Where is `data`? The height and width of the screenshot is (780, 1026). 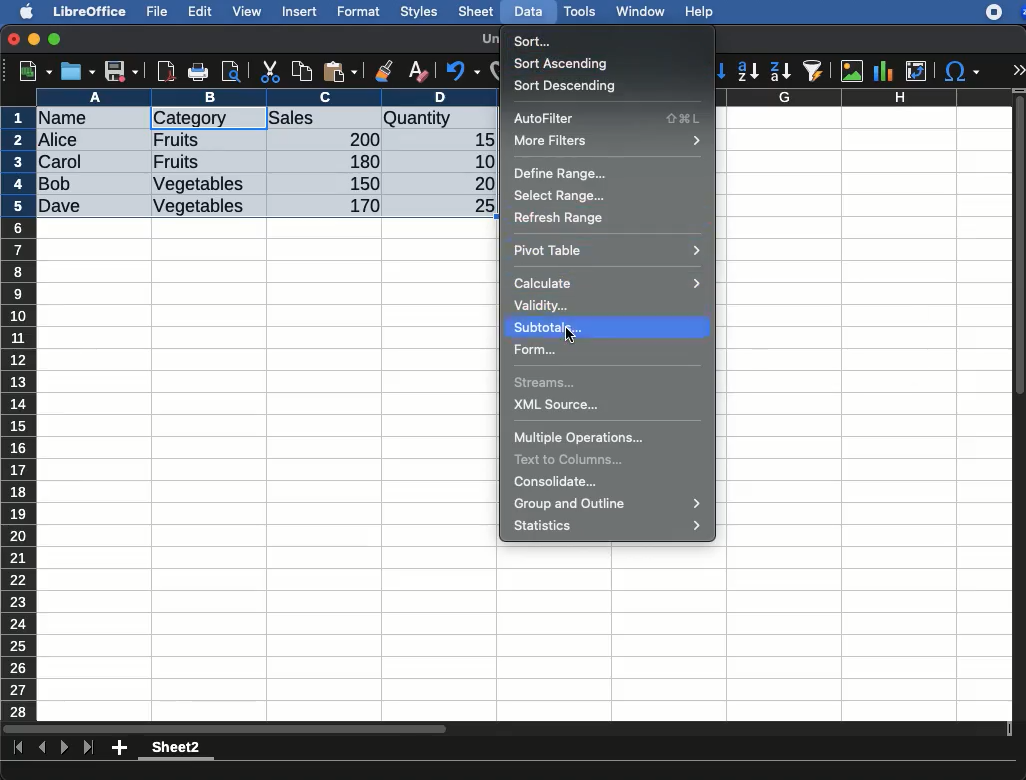 data is located at coordinates (528, 9).